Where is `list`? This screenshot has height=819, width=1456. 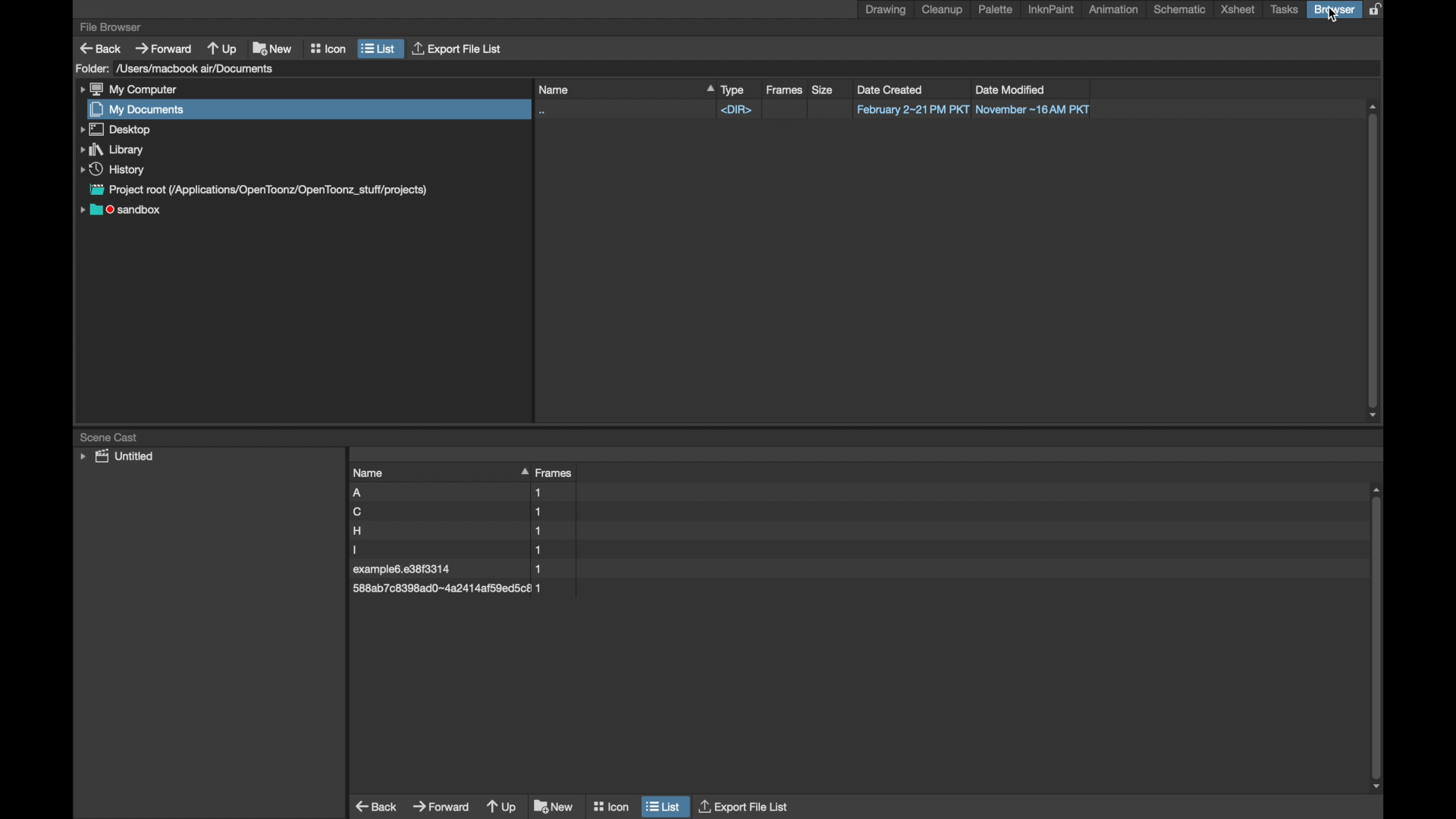
list is located at coordinates (379, 48).